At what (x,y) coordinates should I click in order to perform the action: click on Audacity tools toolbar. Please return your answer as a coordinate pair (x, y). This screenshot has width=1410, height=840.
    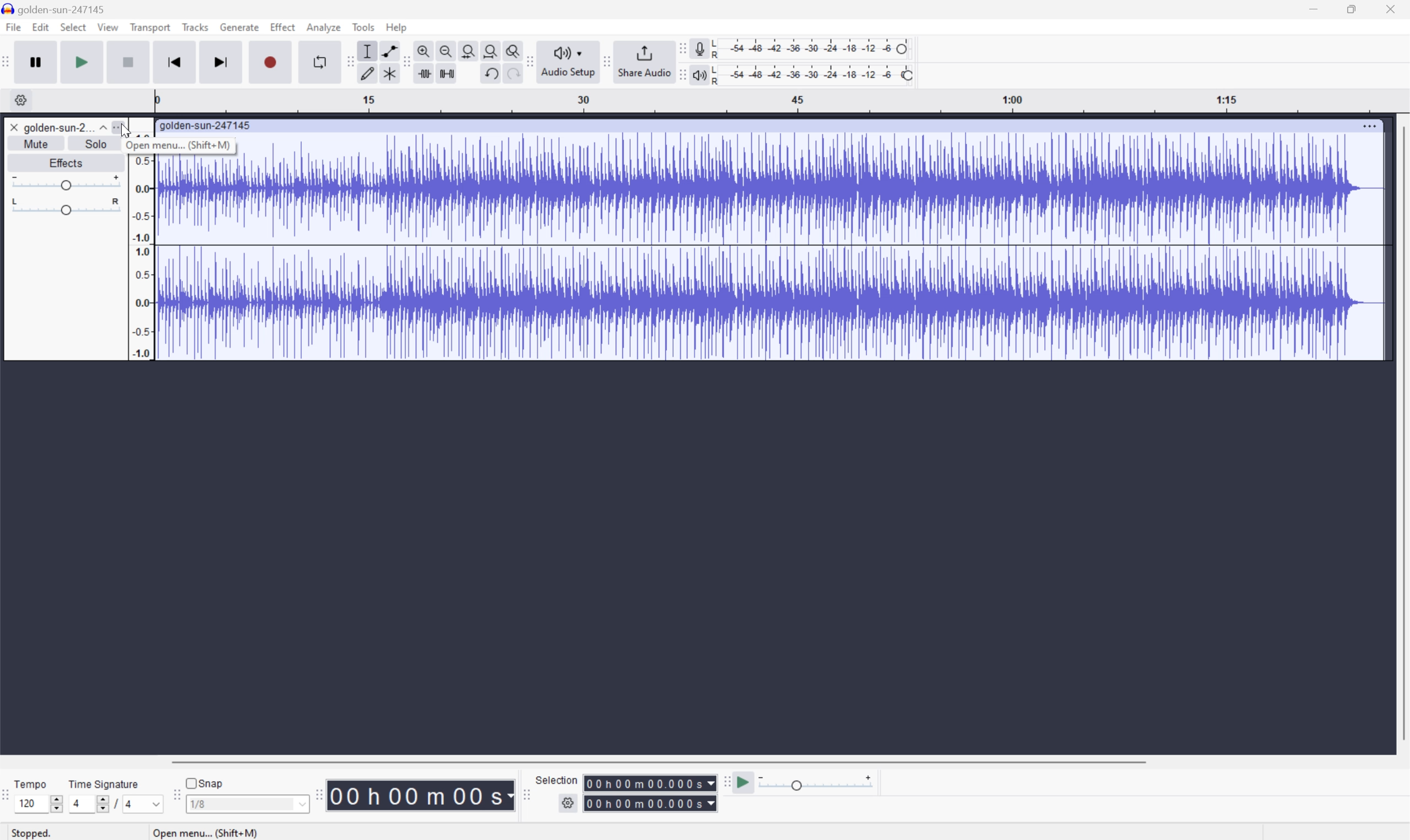
    Looking at the image, I should click on (350, 61).